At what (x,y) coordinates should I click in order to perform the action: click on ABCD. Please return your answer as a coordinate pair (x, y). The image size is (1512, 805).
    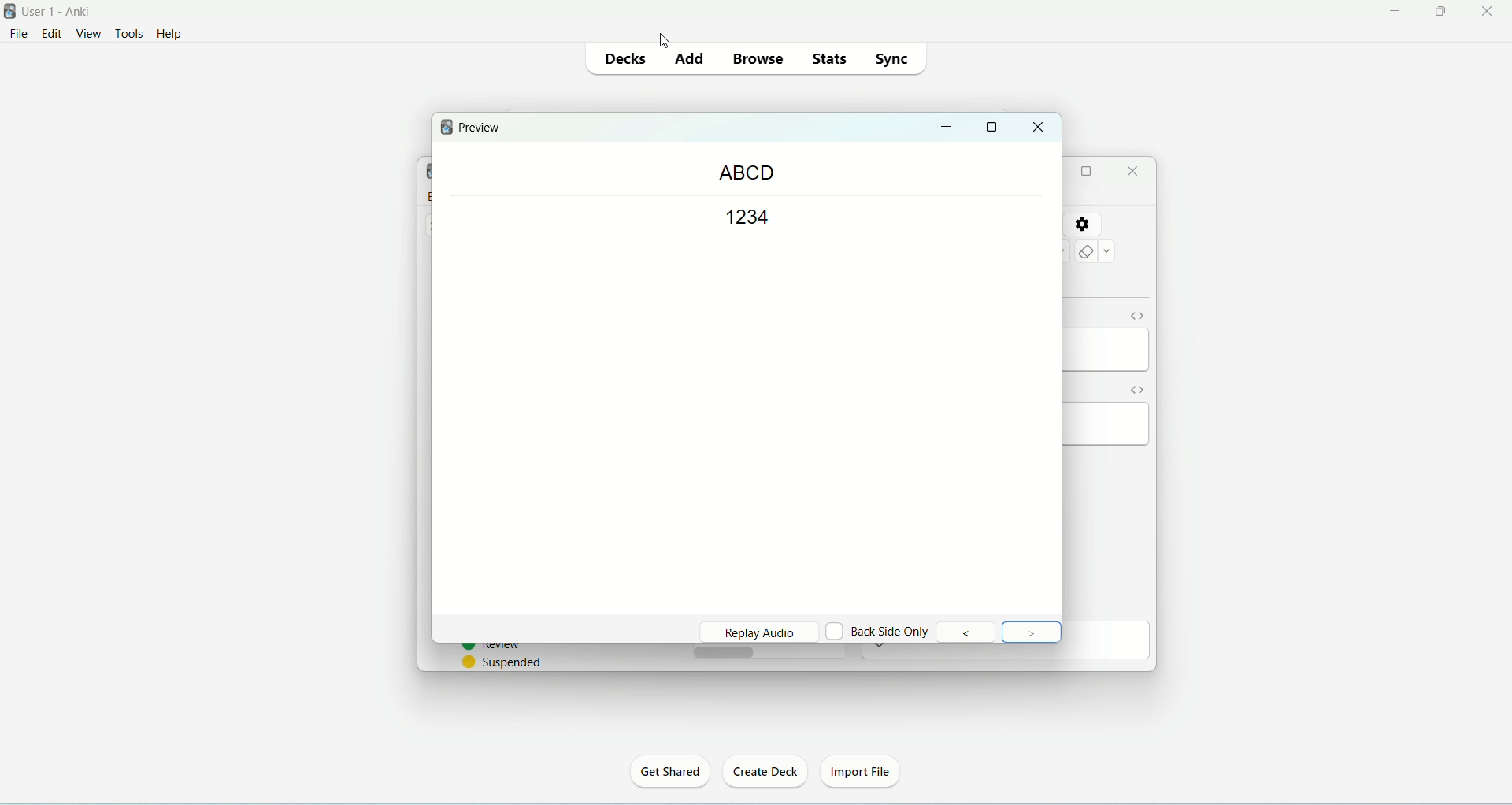
    Looking at the image, I should click on (747, 173).